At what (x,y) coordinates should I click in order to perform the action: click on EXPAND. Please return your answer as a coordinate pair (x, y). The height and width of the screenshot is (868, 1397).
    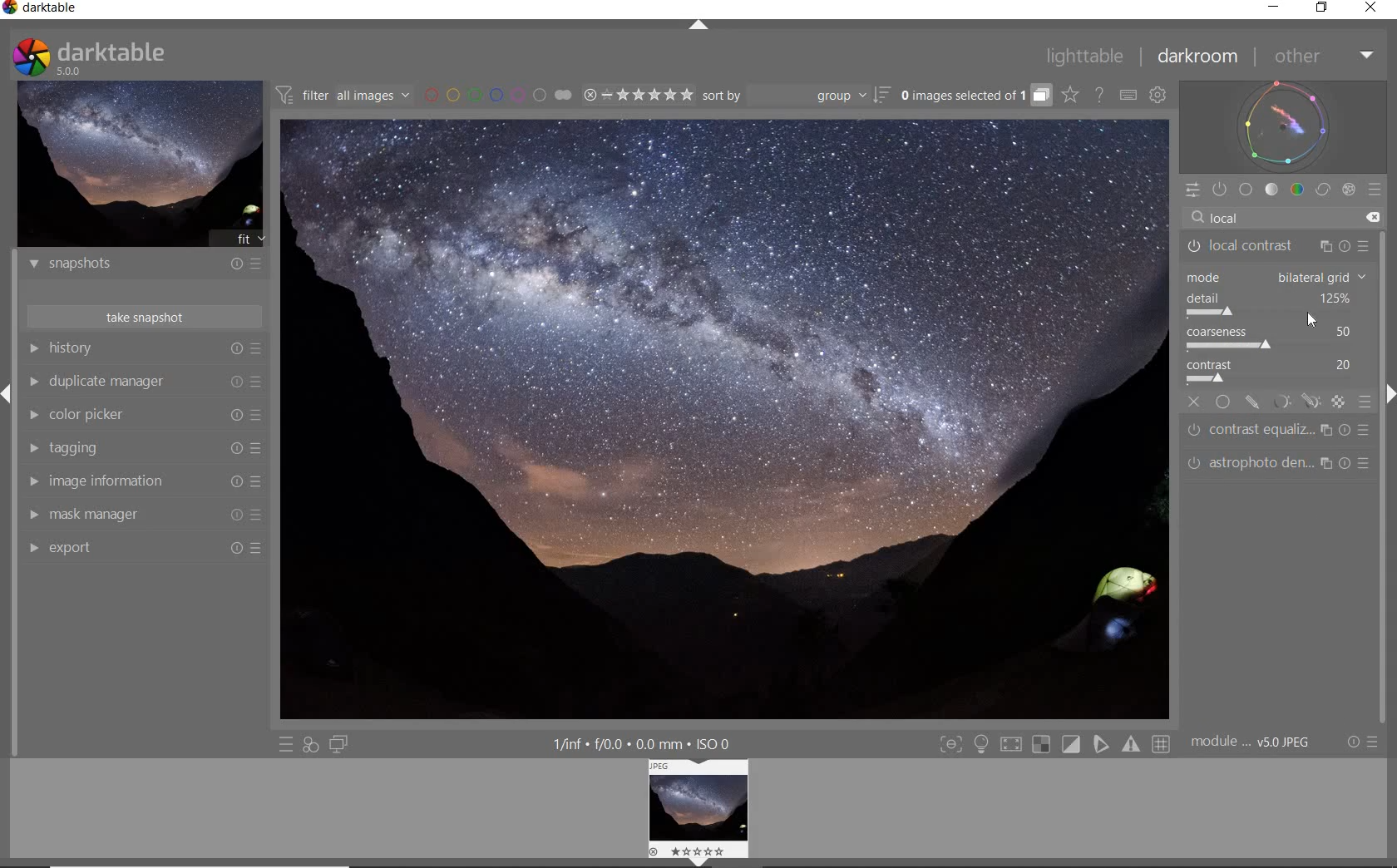
    Looking at the image, I should click on (8, 392).